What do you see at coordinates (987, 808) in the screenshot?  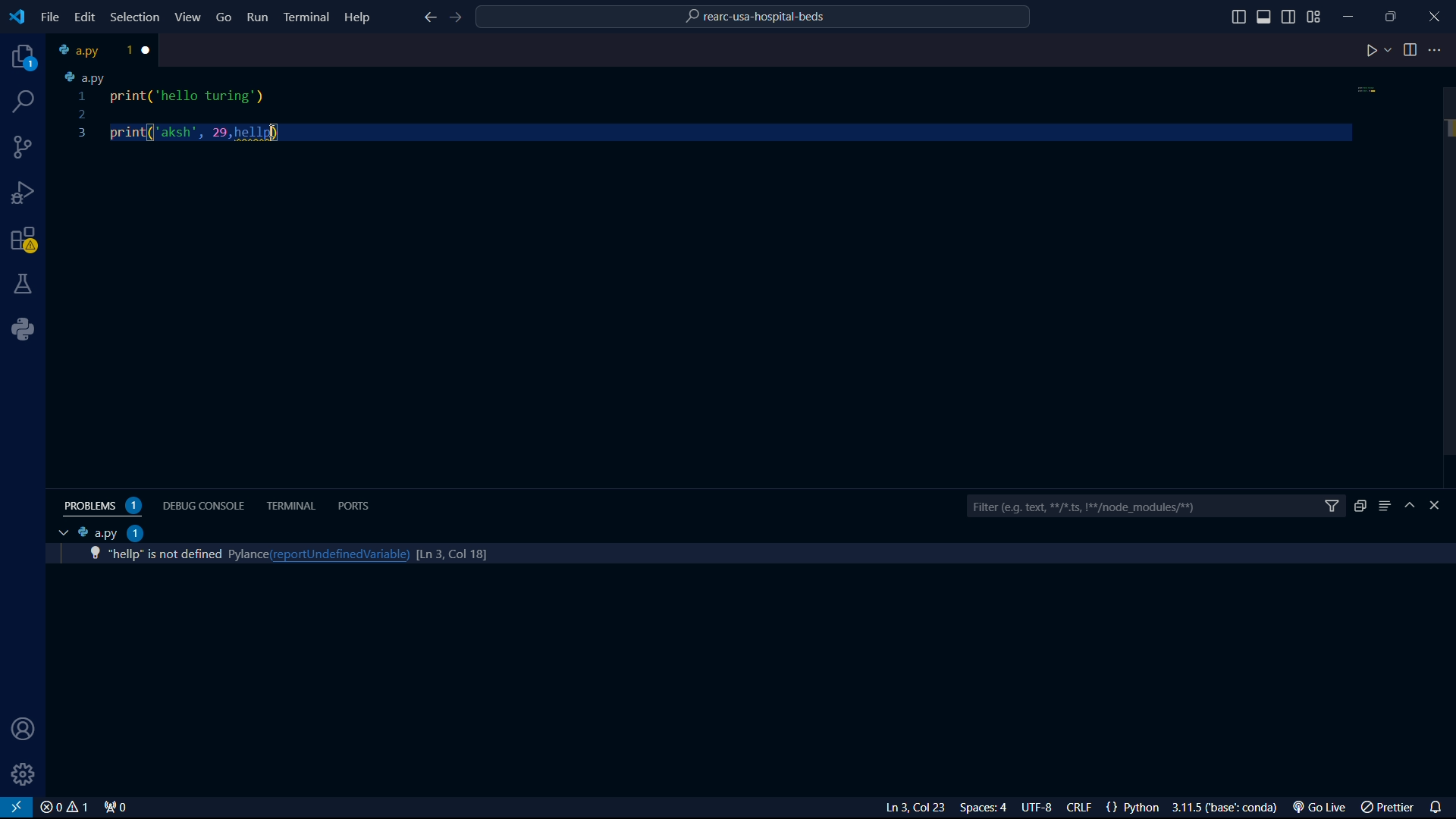 I see `Spaces: 4` at bounding box center [987, 808].